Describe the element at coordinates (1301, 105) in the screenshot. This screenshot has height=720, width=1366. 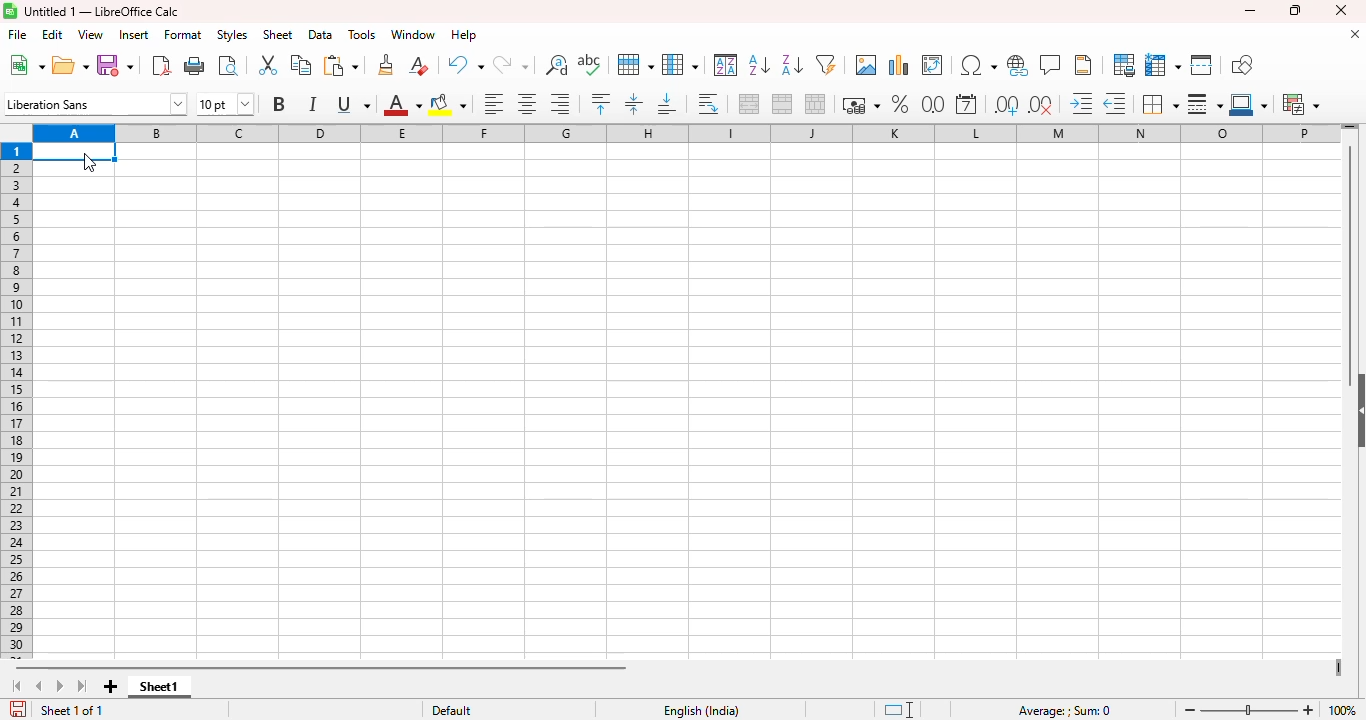
I see `conditional` at that location.